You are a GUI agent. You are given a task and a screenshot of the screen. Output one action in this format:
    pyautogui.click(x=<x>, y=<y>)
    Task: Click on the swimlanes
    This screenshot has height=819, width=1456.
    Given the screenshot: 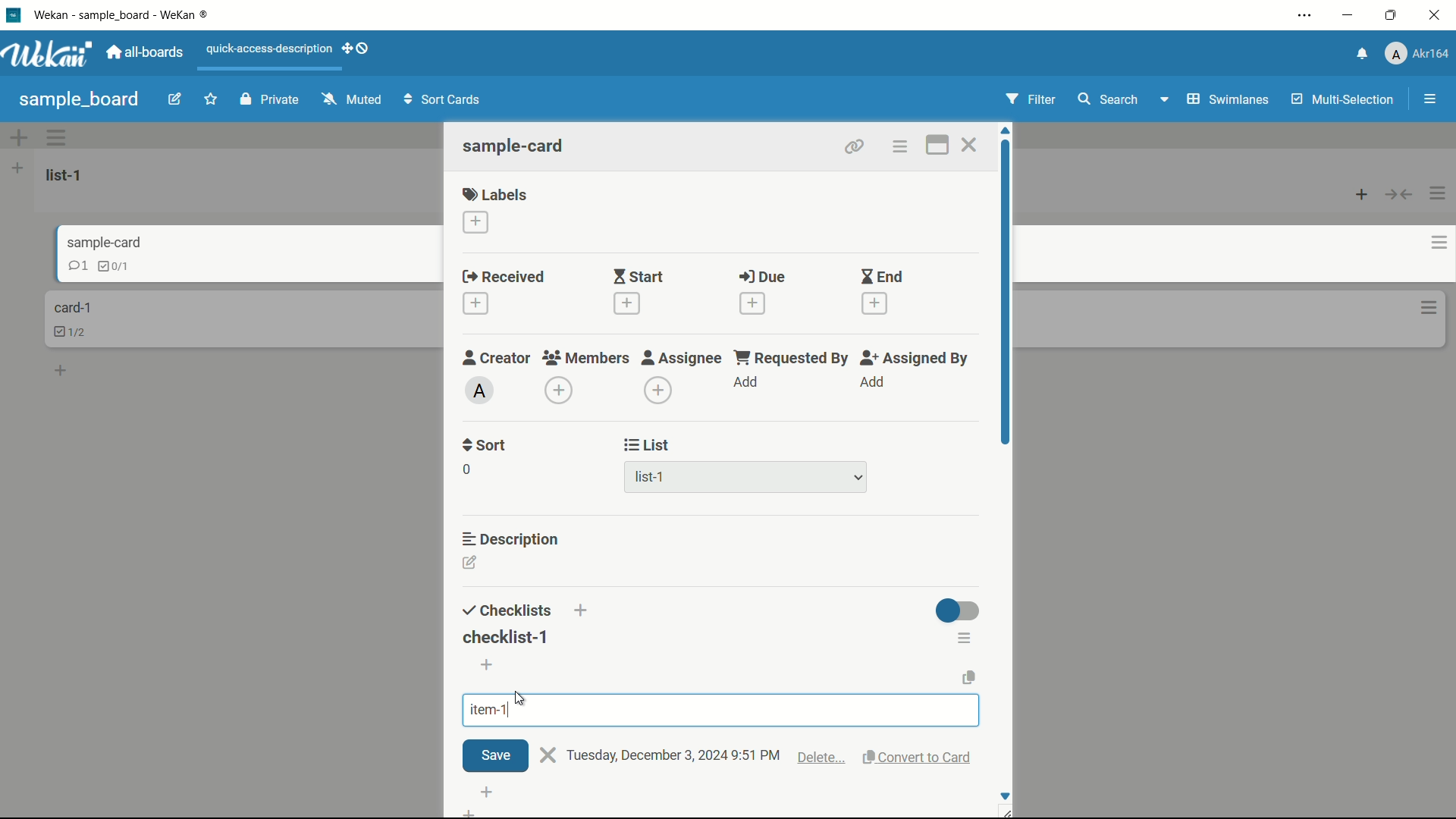 What is the action you would take?
    pyautogui.click(x=1226, y=101)
    